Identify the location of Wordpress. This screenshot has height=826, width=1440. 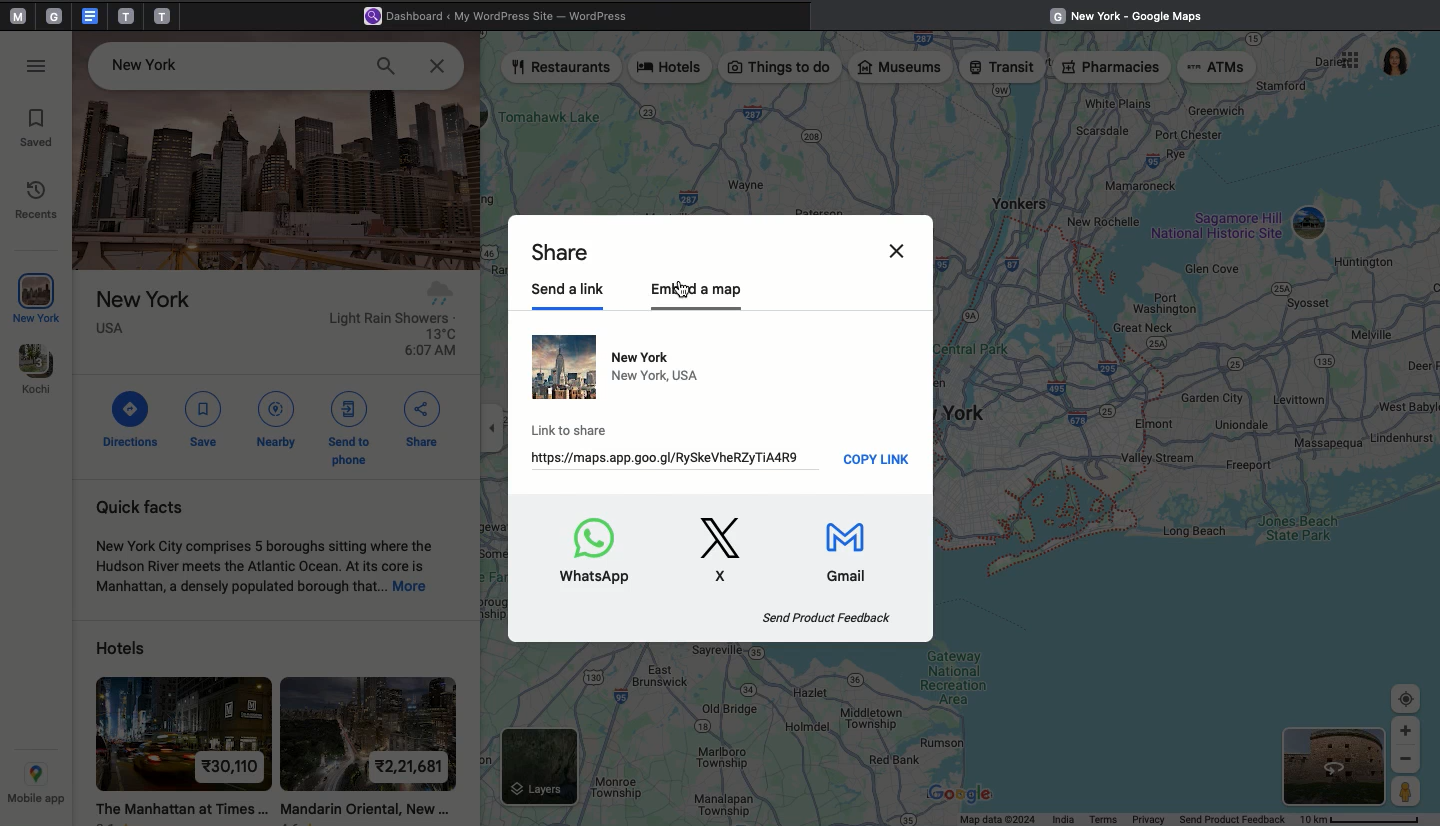
(504, 17).